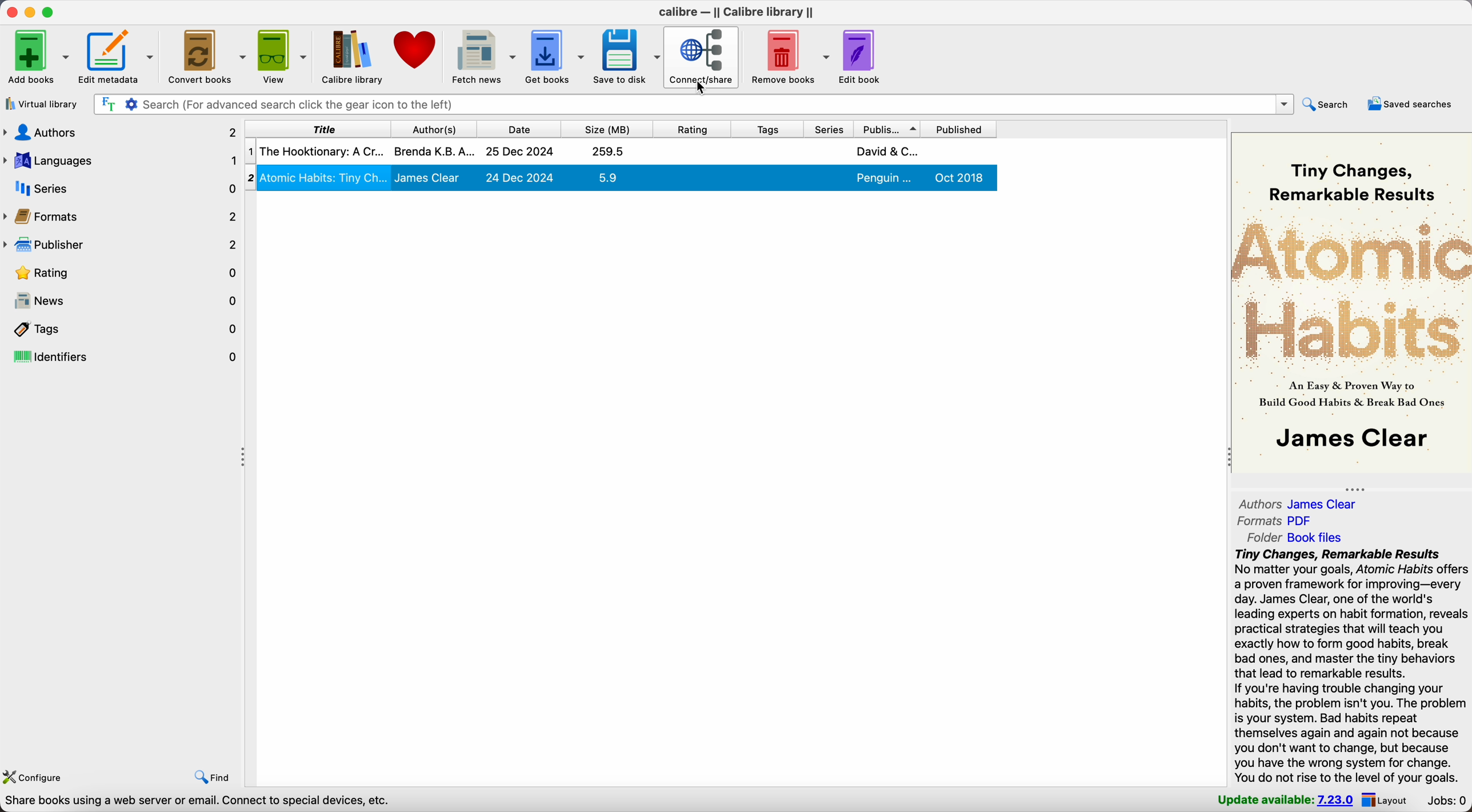 The height and width of the screenshot is (812, 1472). What do you see at coordinates (627, 58) in the screenshot?
I see `save to disk` at bounding box center [627, 58].